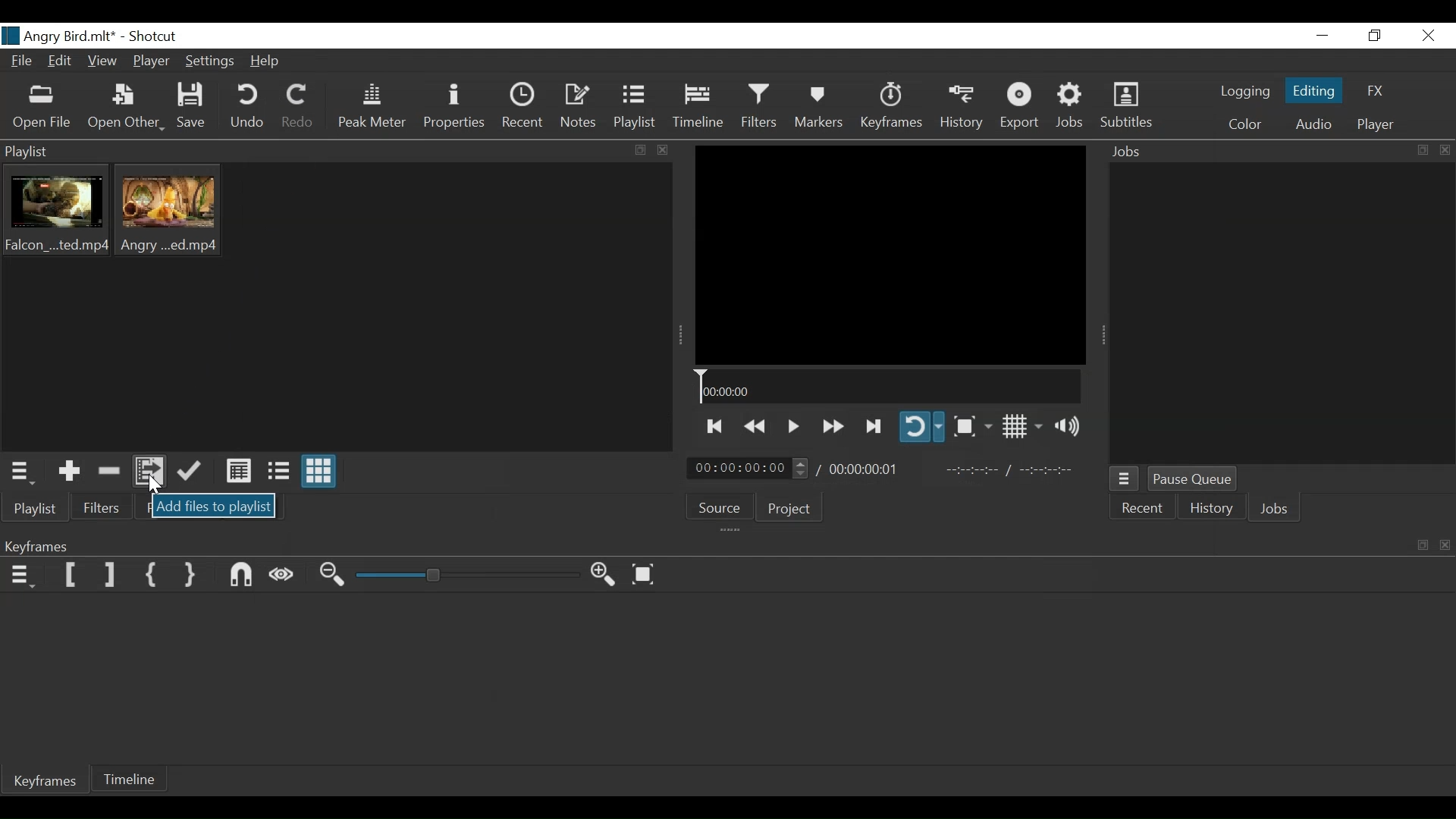  What do you see at coordinates (151, 61) in the screenshot?
I see `Player` at bounding box center [151, 61].